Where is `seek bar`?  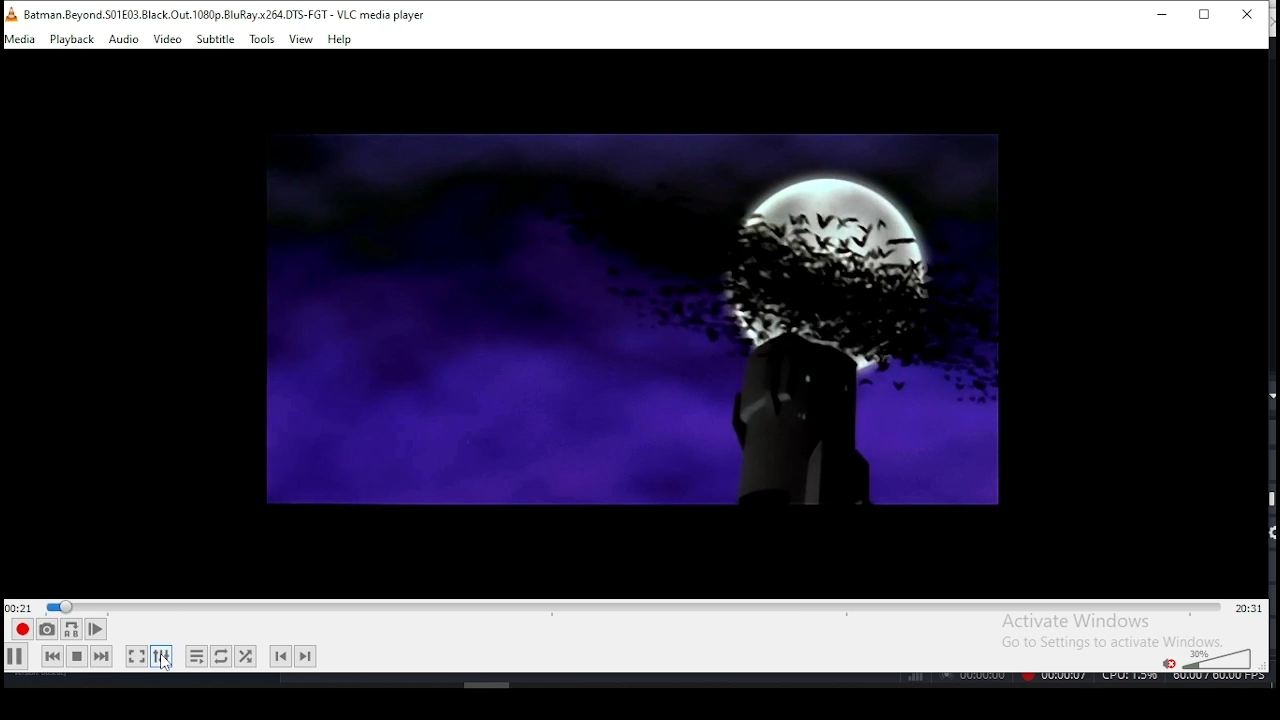 seek bar is located at coordinates (633, 605).